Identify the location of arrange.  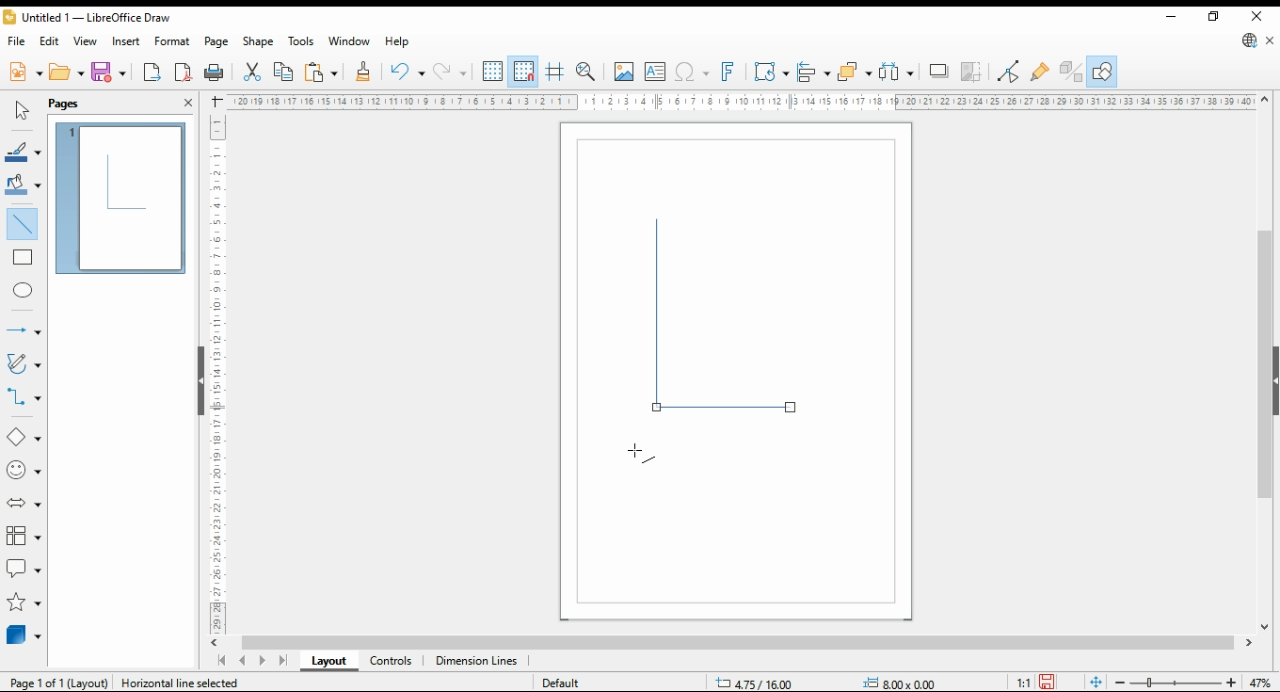
(854, 71).